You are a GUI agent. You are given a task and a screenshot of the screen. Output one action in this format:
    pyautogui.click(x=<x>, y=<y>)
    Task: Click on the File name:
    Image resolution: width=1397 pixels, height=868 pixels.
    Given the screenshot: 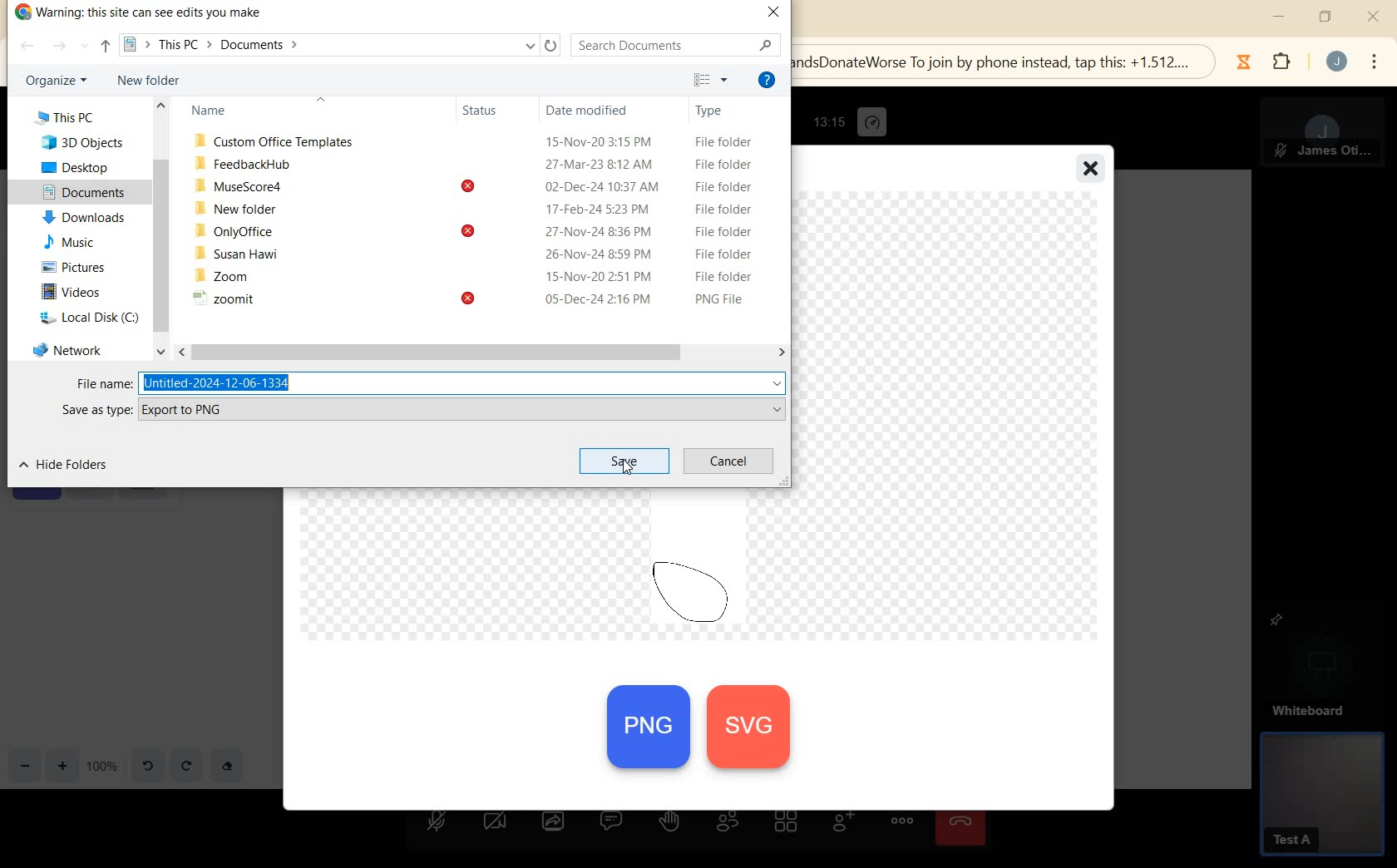 What is the action you would take?
    pyautogui.click(x=106, y=384)
    